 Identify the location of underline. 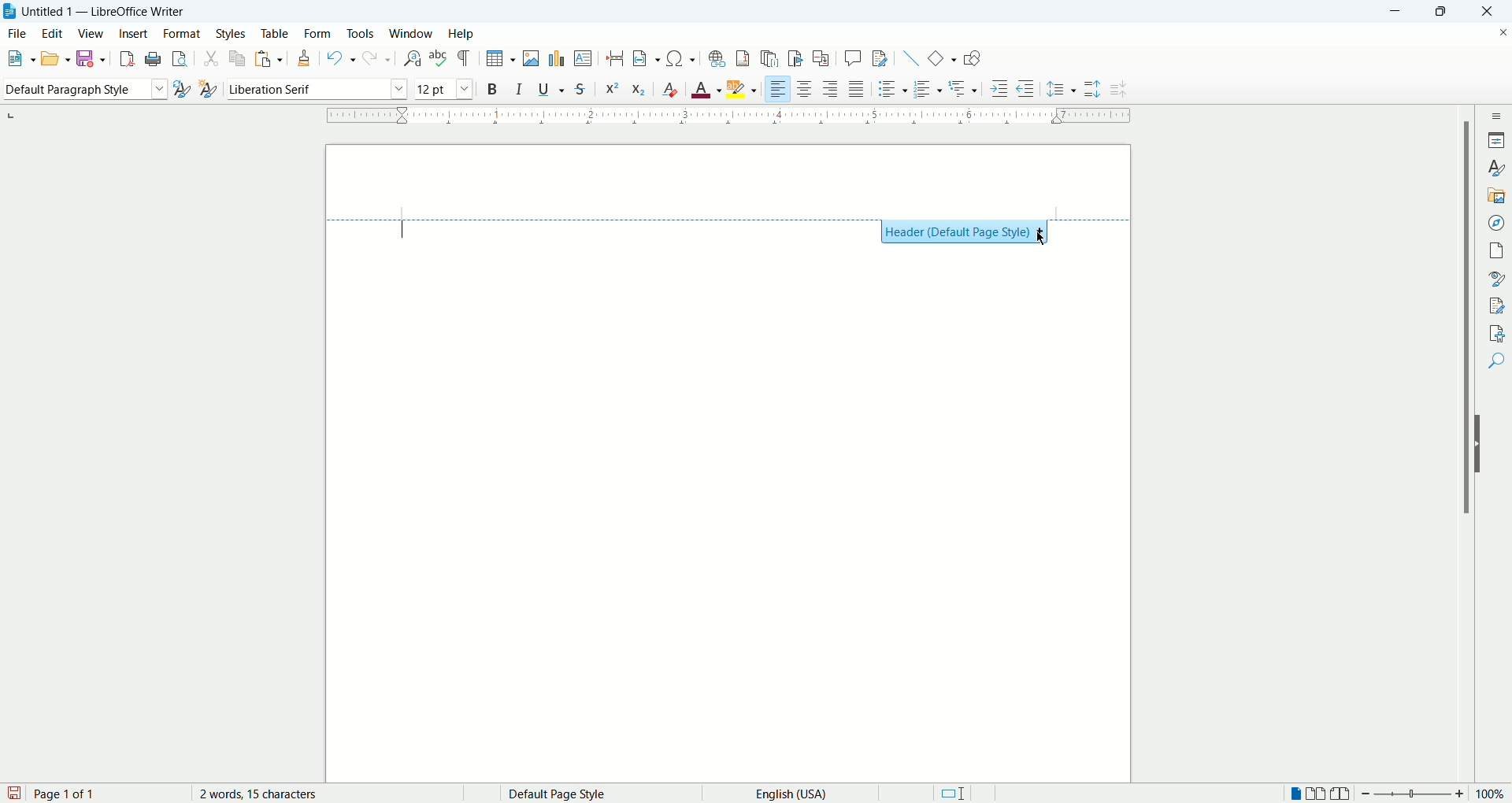
(547, 91).